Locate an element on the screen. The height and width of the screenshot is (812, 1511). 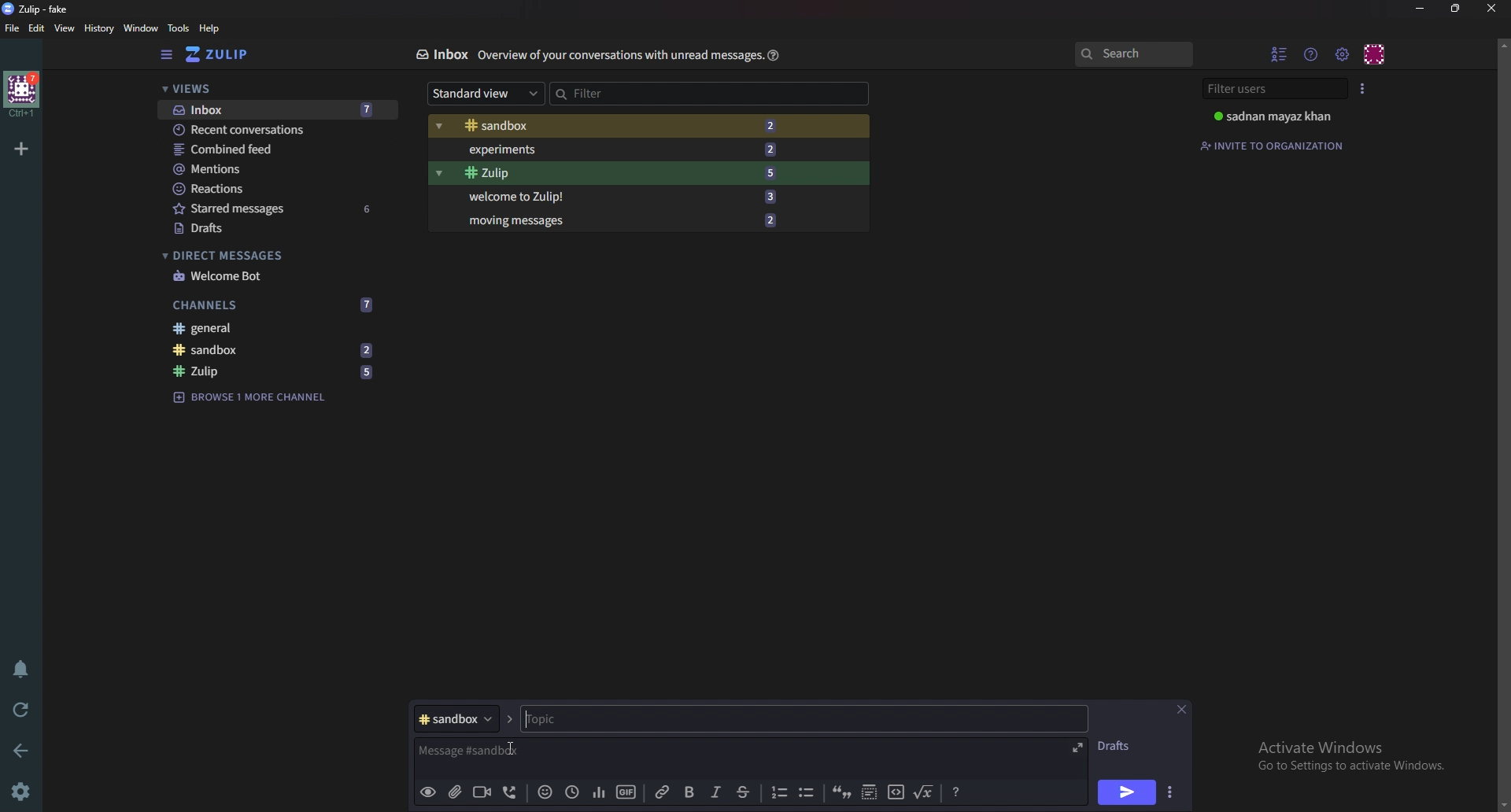
close is located at coordinates (1490, 8).